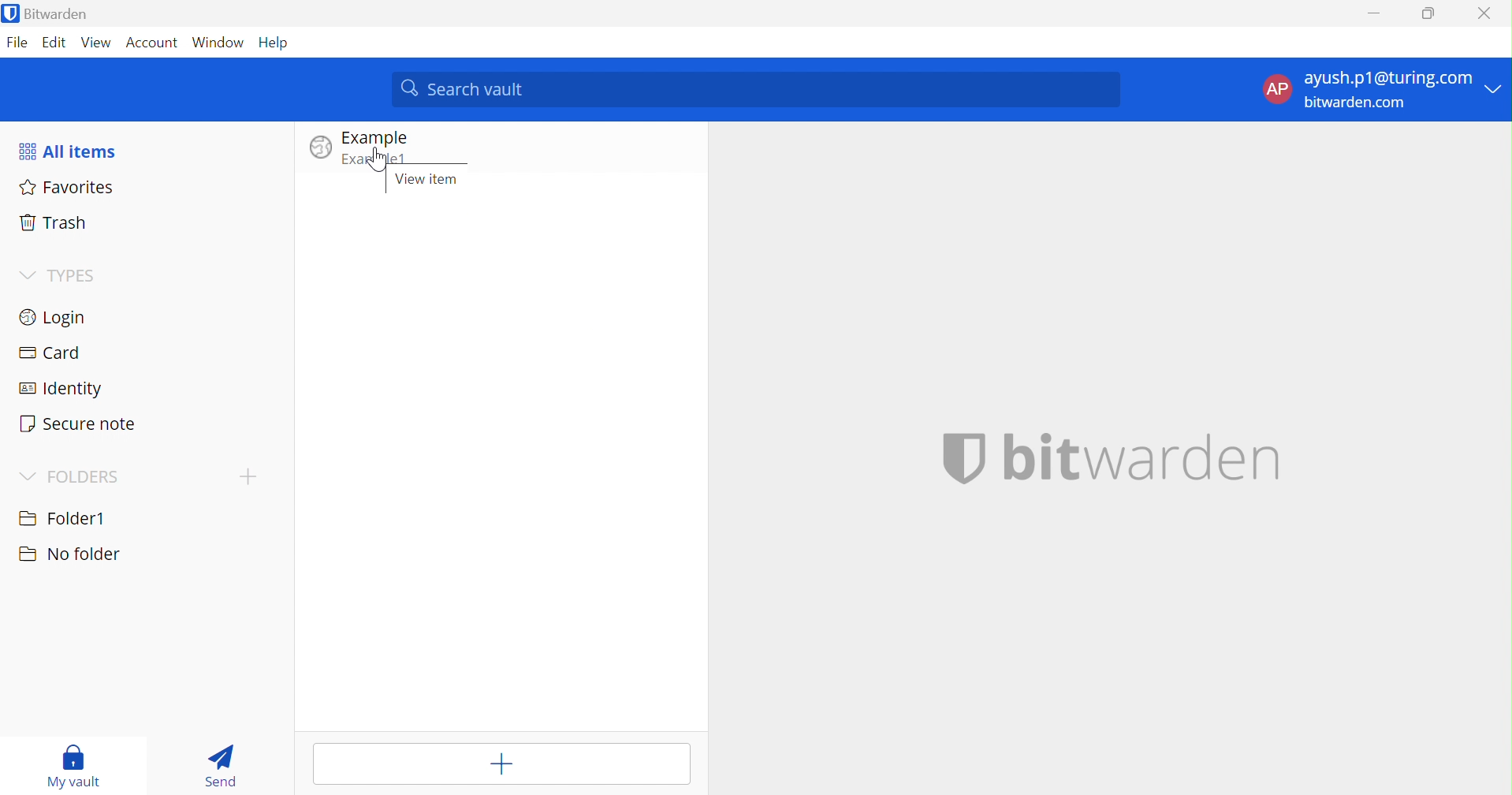  I want to click on Search vault, so click(757, 90).